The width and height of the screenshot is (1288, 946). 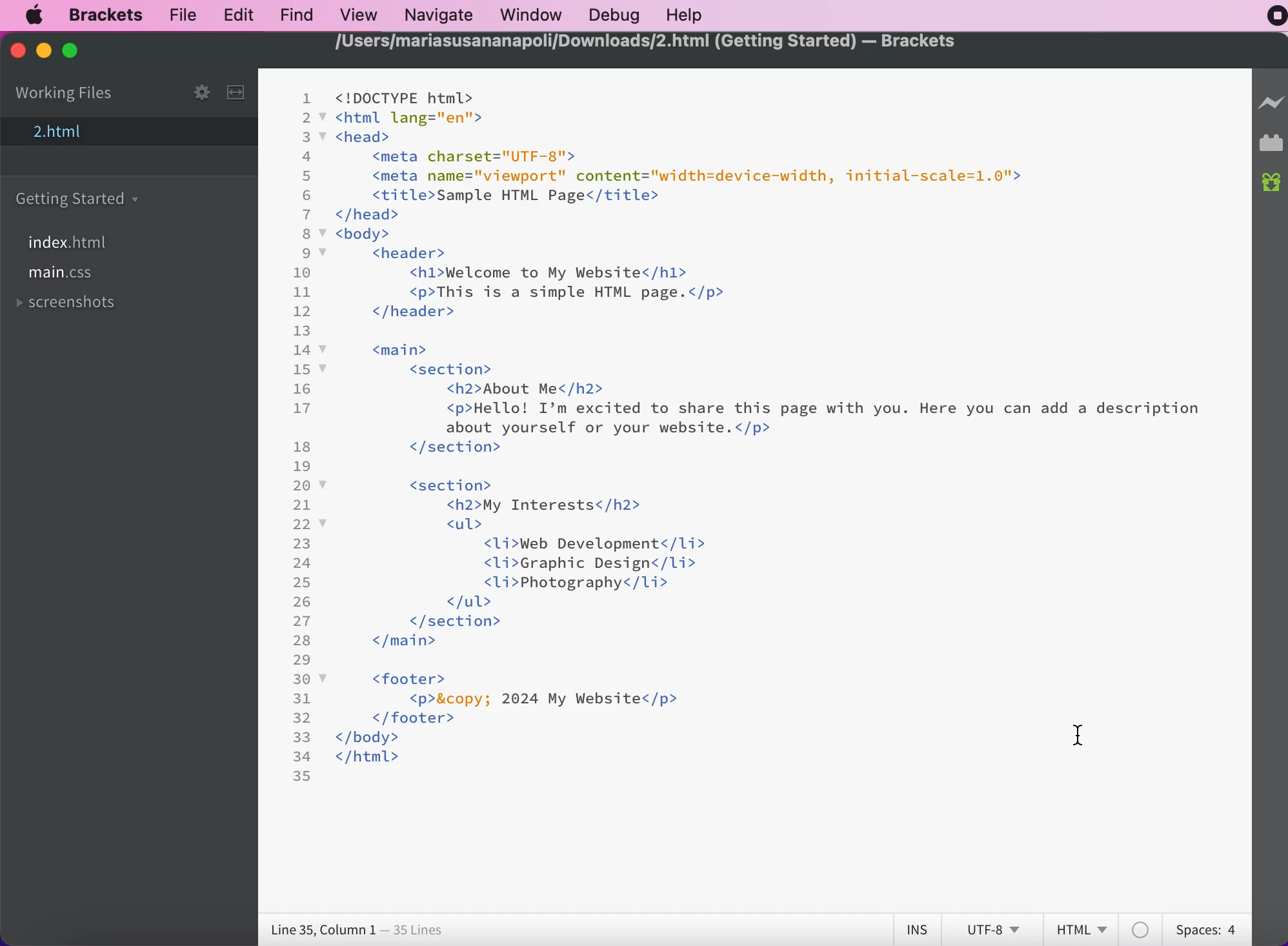 What do you see at coordinates (303, 370) in the screenshot?
I see `15` at bounding box center [303, 370].